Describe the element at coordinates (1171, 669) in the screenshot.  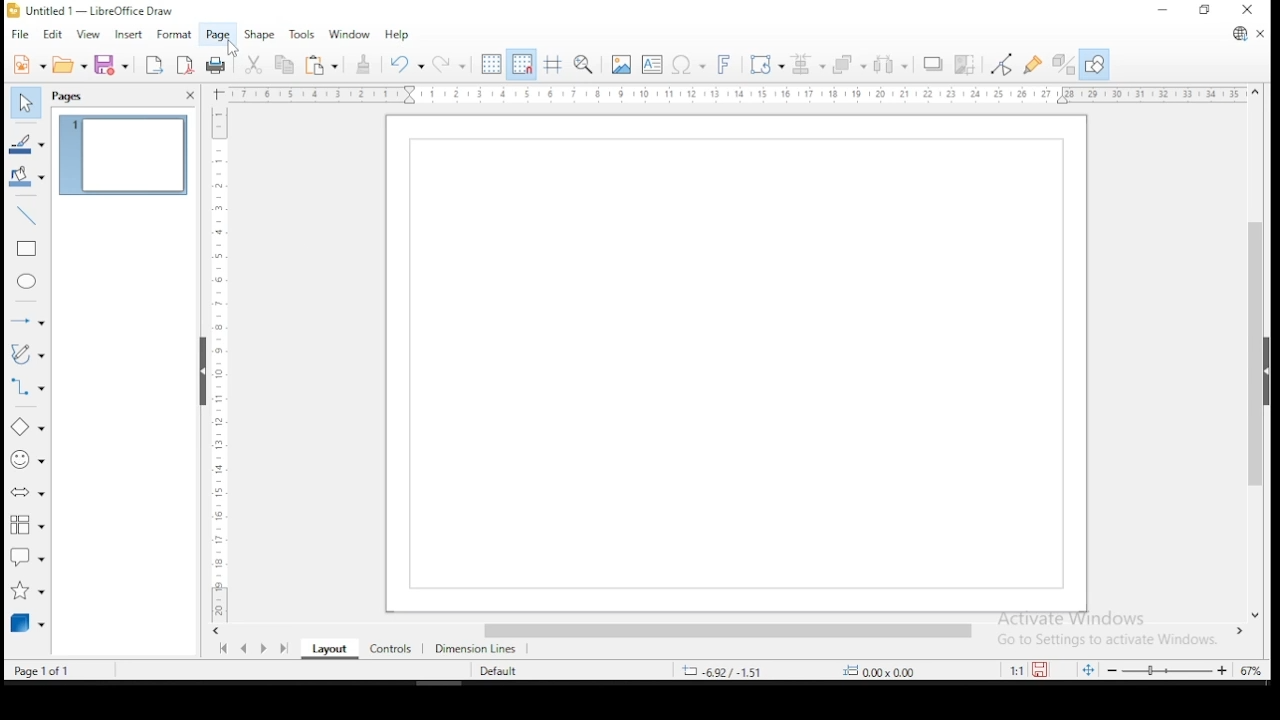
I see `zoom slider` at that location.